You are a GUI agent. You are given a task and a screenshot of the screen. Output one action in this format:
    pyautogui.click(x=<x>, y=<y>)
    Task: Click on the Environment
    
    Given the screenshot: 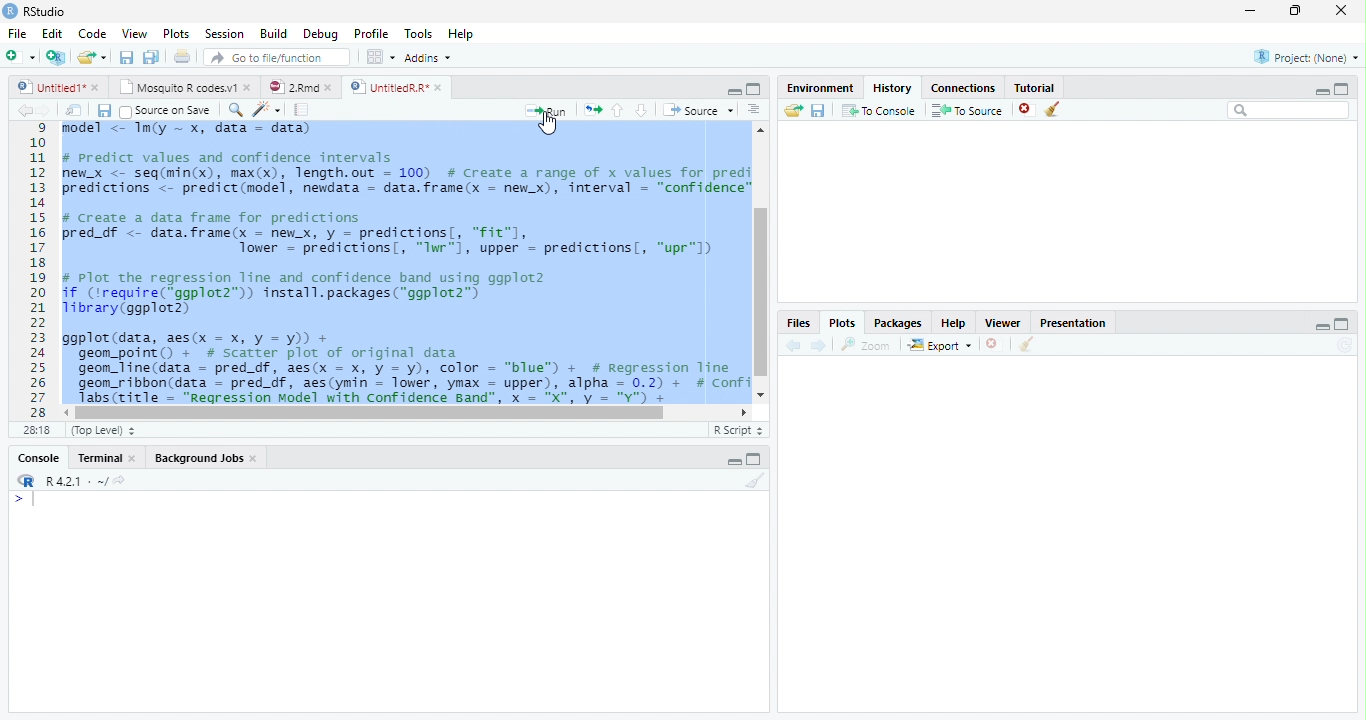 What is the action you would take?
    pyautogui.click(x=820, y=88)
    